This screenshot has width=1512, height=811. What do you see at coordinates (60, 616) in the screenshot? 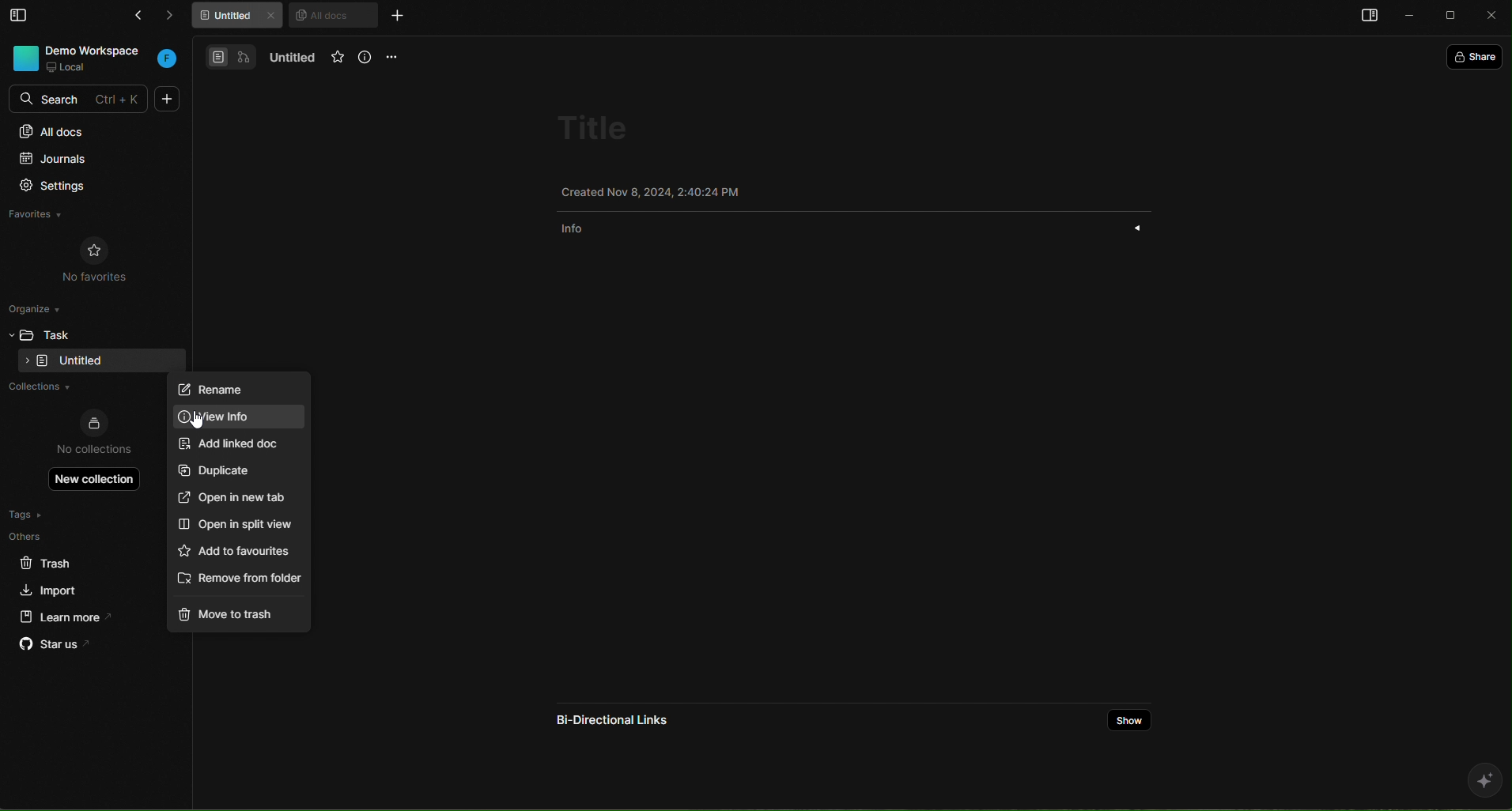
I see `learn more ` at bounding box center [60, 616].